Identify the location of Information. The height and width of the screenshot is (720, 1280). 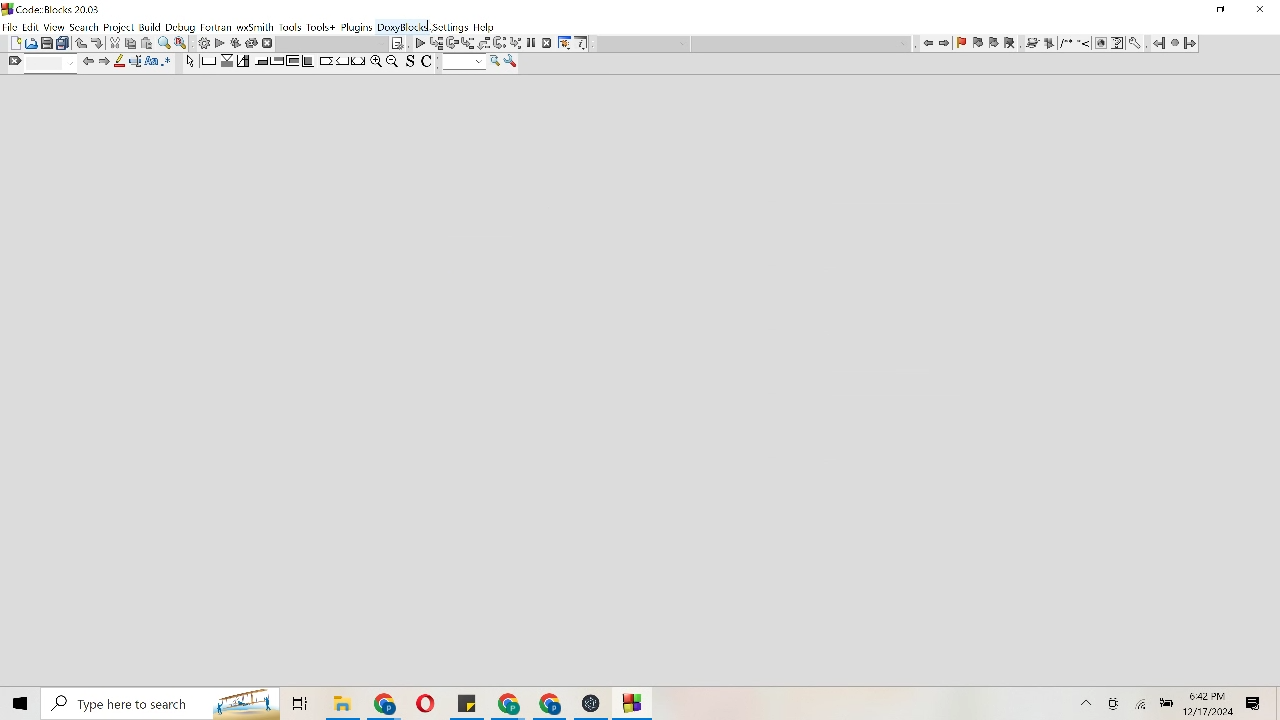
(583, 44).